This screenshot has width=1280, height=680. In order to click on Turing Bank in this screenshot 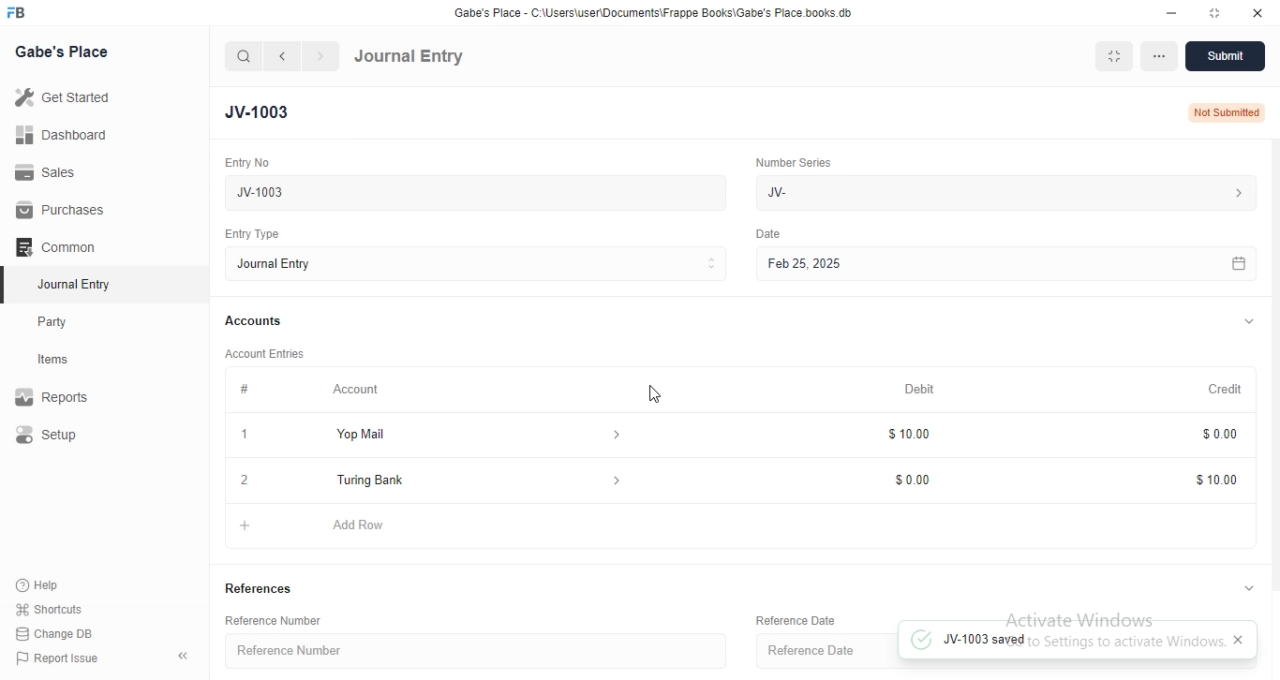, I will do `click(475, 482)`.